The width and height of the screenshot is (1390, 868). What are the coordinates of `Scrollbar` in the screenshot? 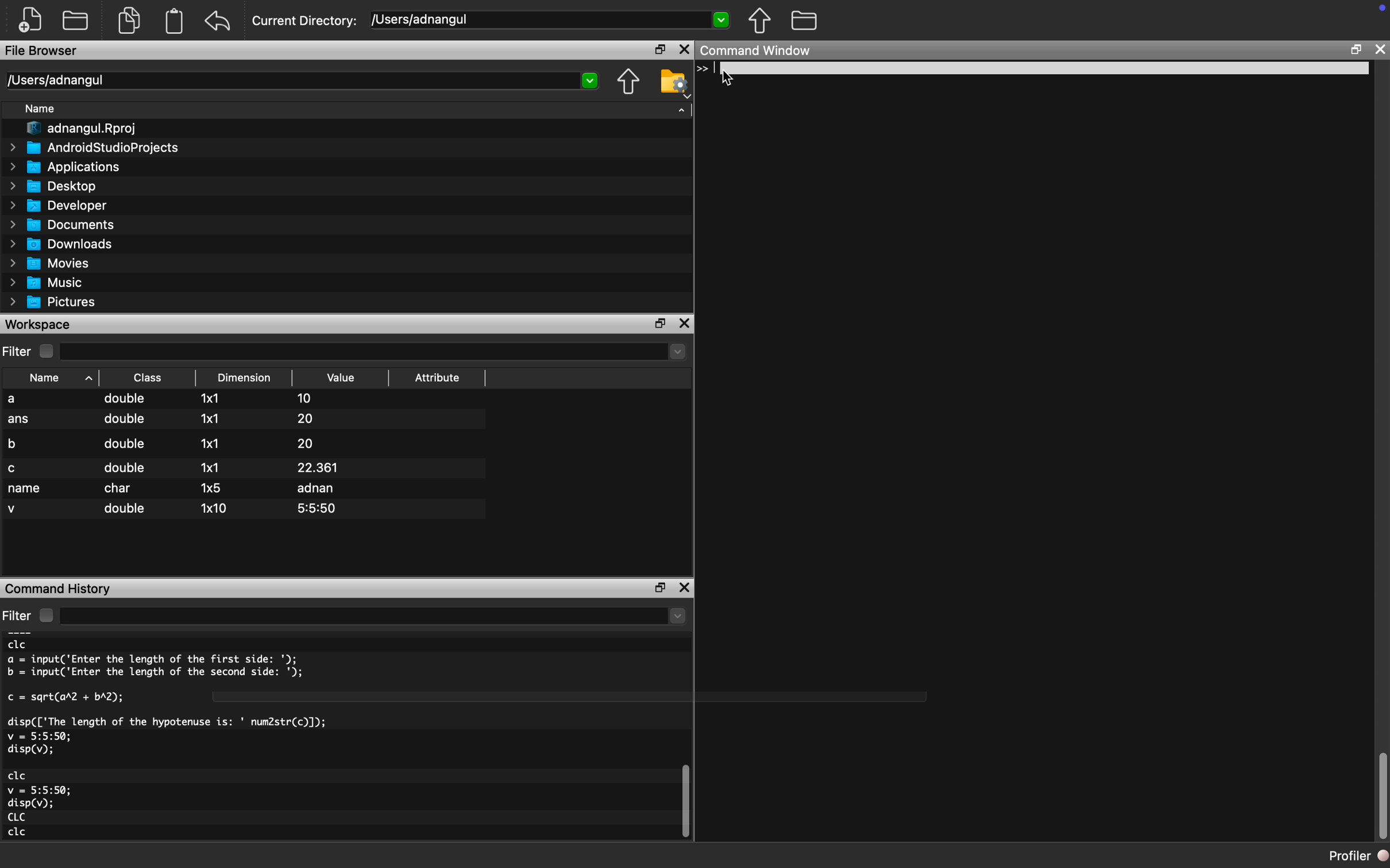 It's located at (685, 804).